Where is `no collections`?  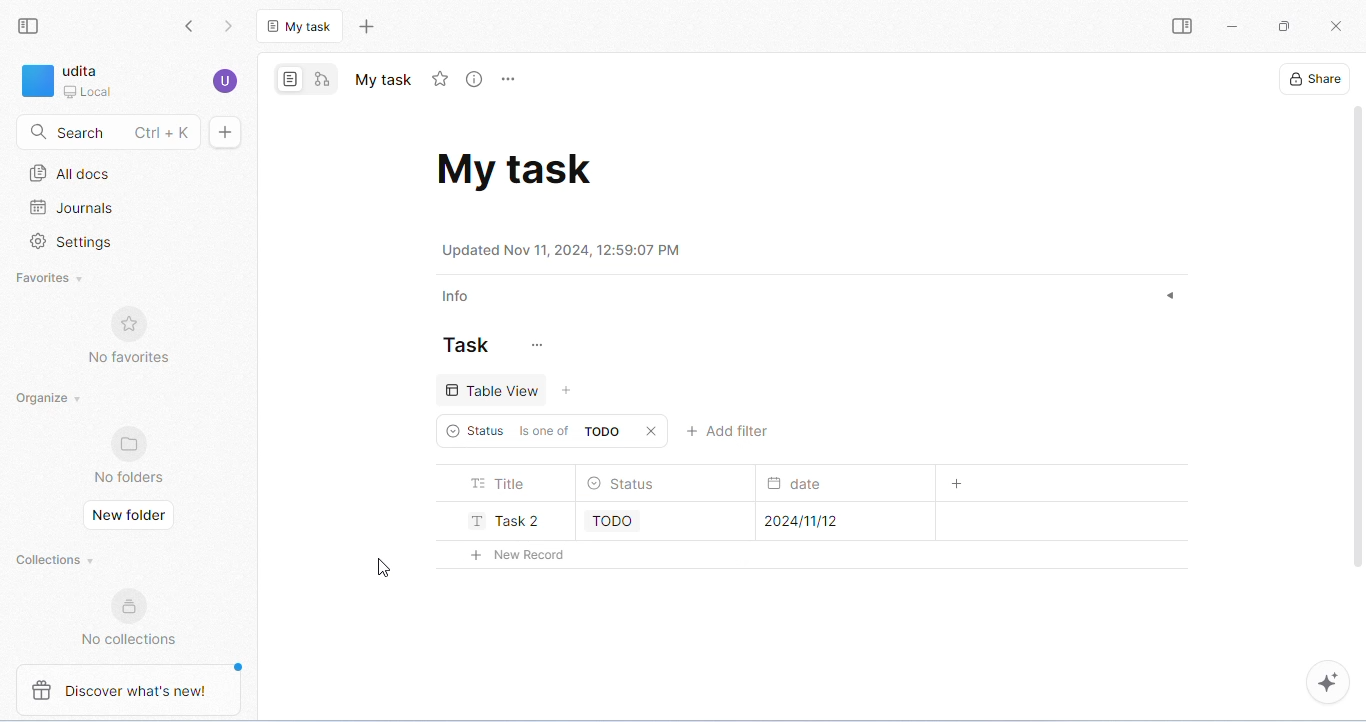 no collections is located at coordinates (129, 617).